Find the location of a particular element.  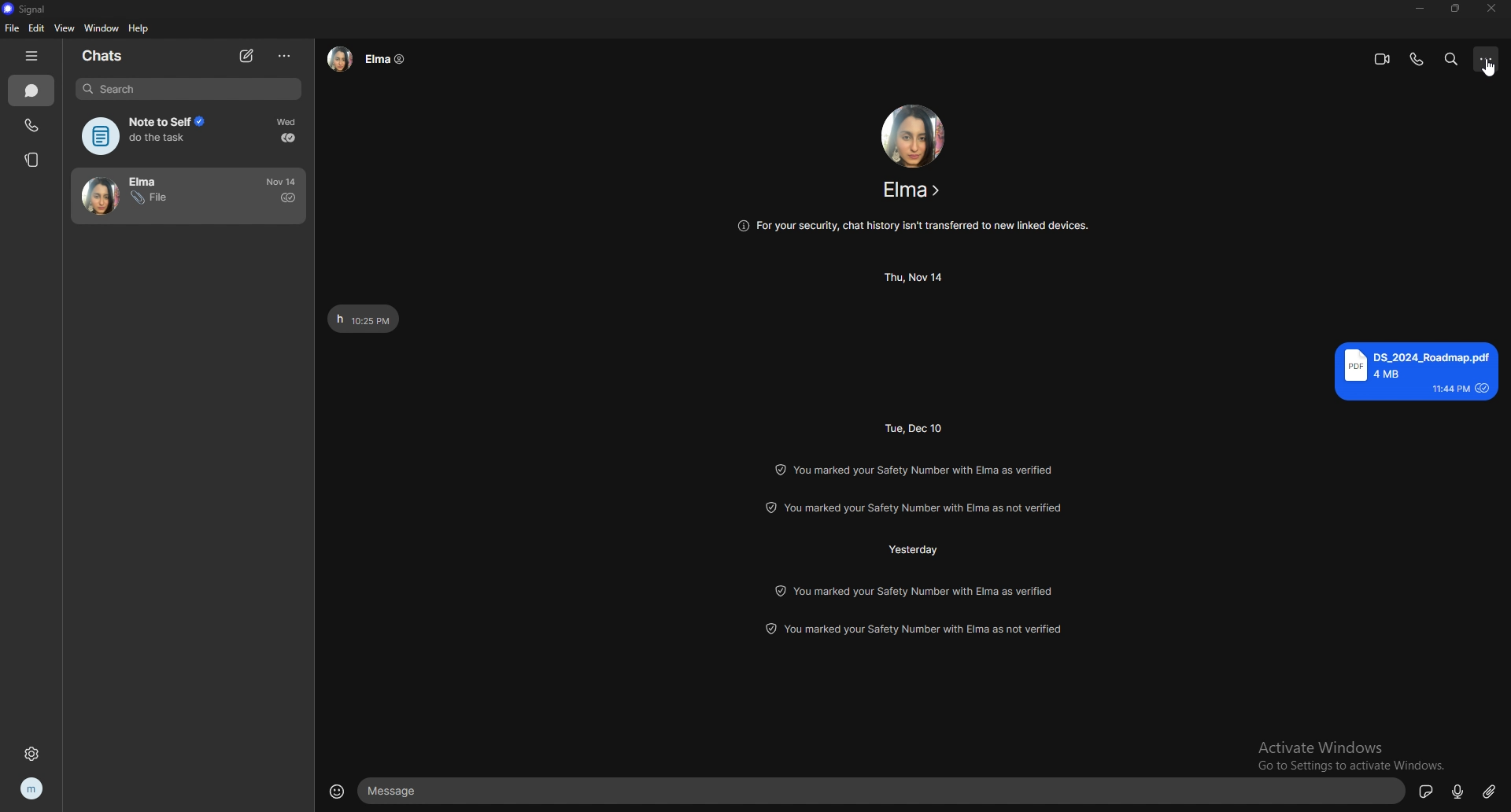

time is located at coordinates (917, 427).